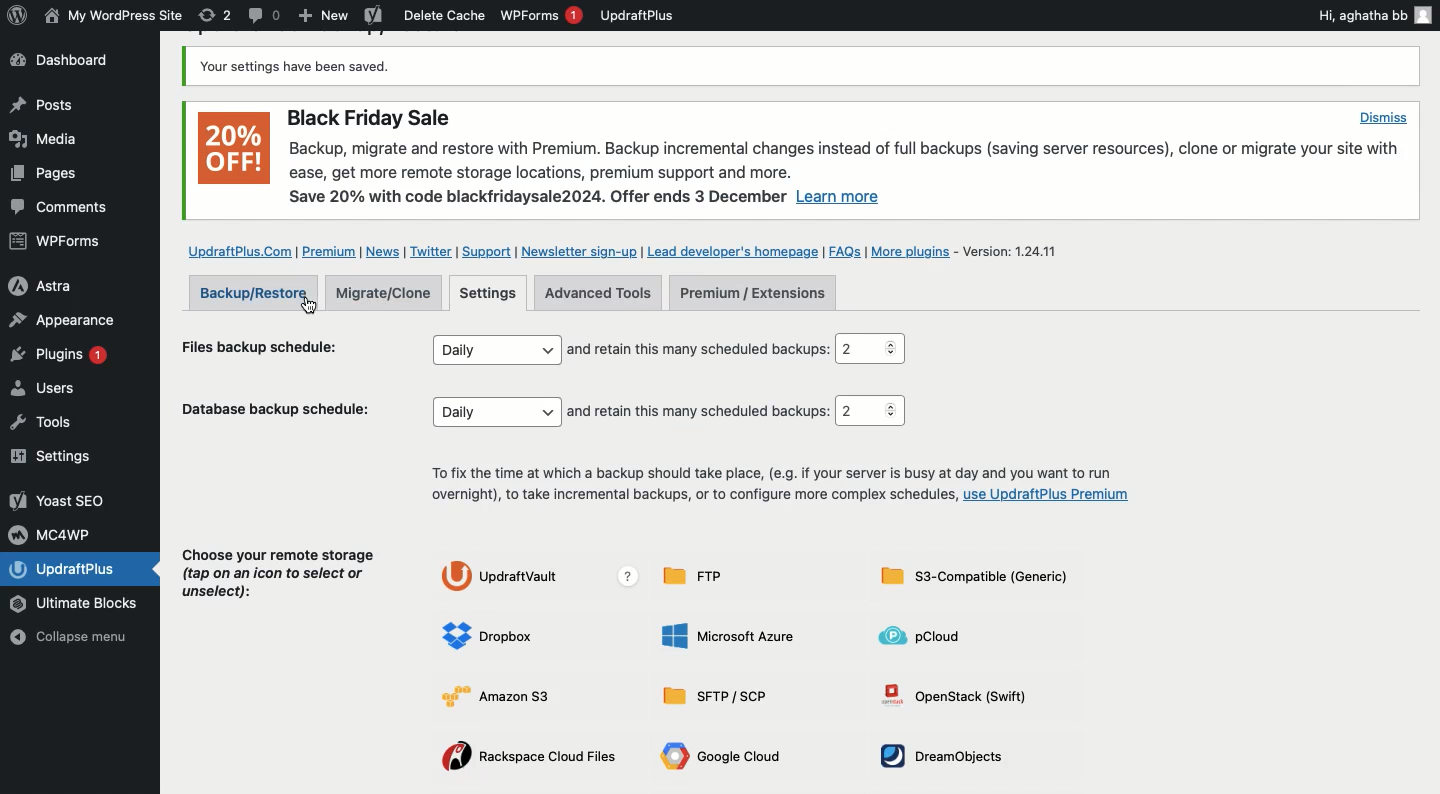  Describe the element at coordinates (83, 569) in the screenshot. I see `UpdraftPlus` at that location.